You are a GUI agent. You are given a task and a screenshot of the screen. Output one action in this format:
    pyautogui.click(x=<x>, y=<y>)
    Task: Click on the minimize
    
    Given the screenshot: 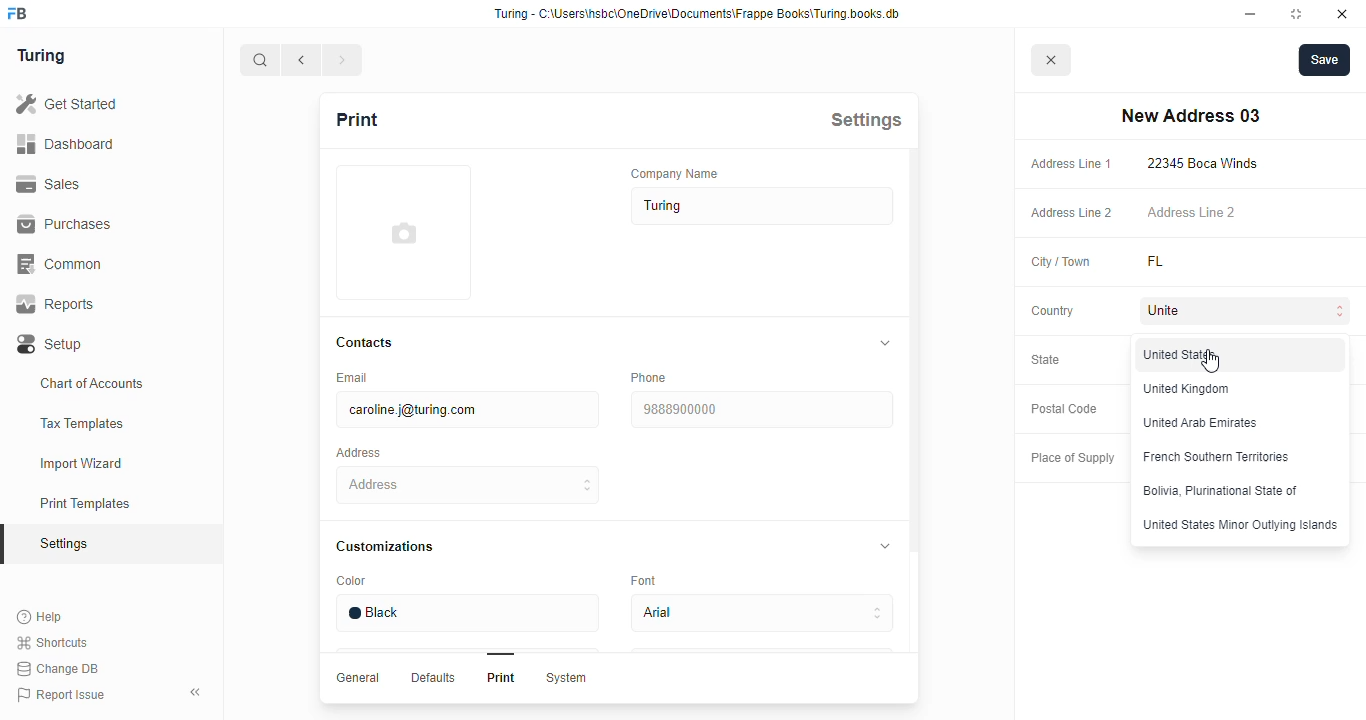 What is the action you would take?
    pyautogui.click(x=1251, y=14)
    